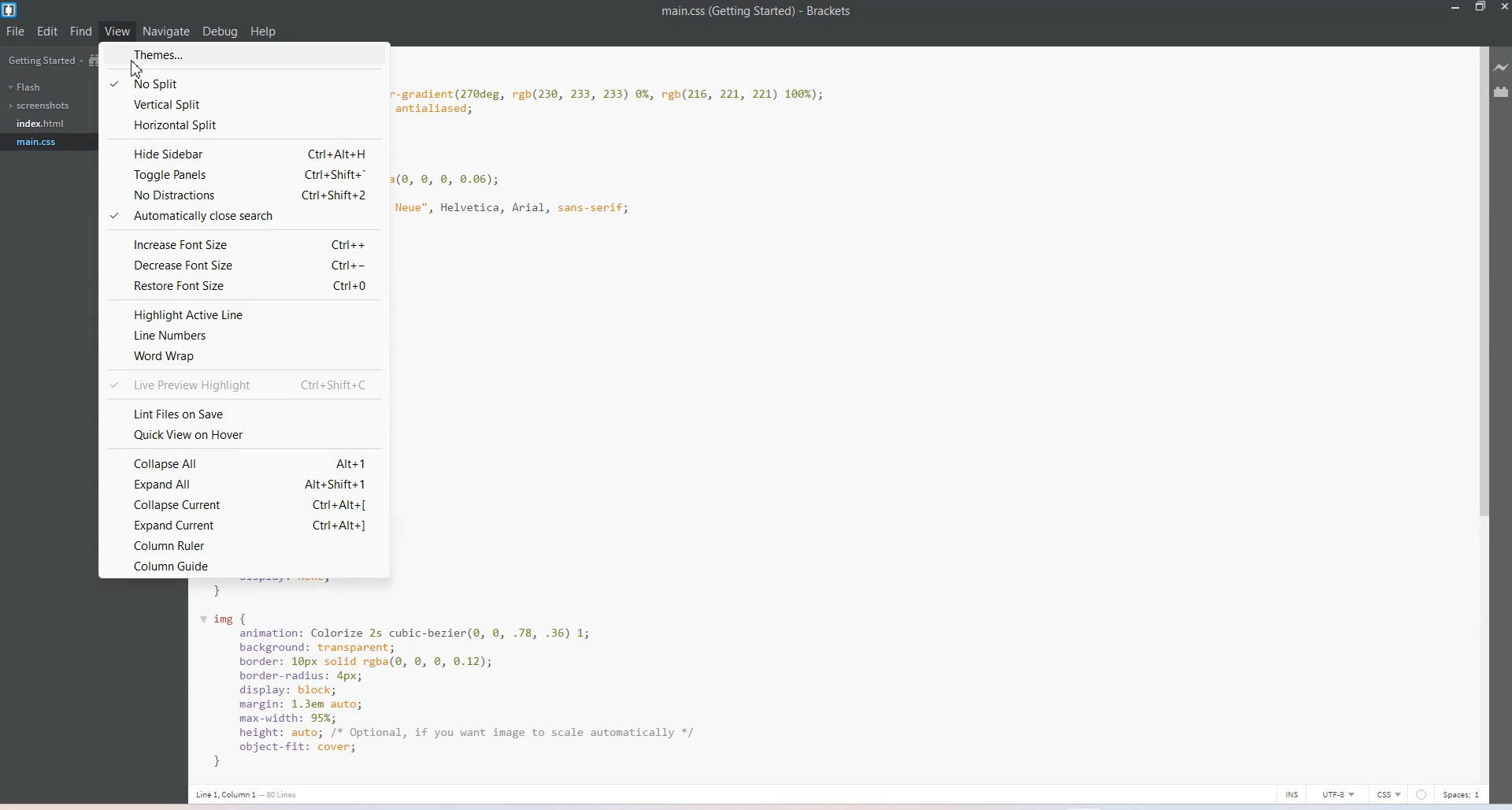  Describe the element at coordinates (46, 61) in the screenshot. I see `Getting Started` at that location.